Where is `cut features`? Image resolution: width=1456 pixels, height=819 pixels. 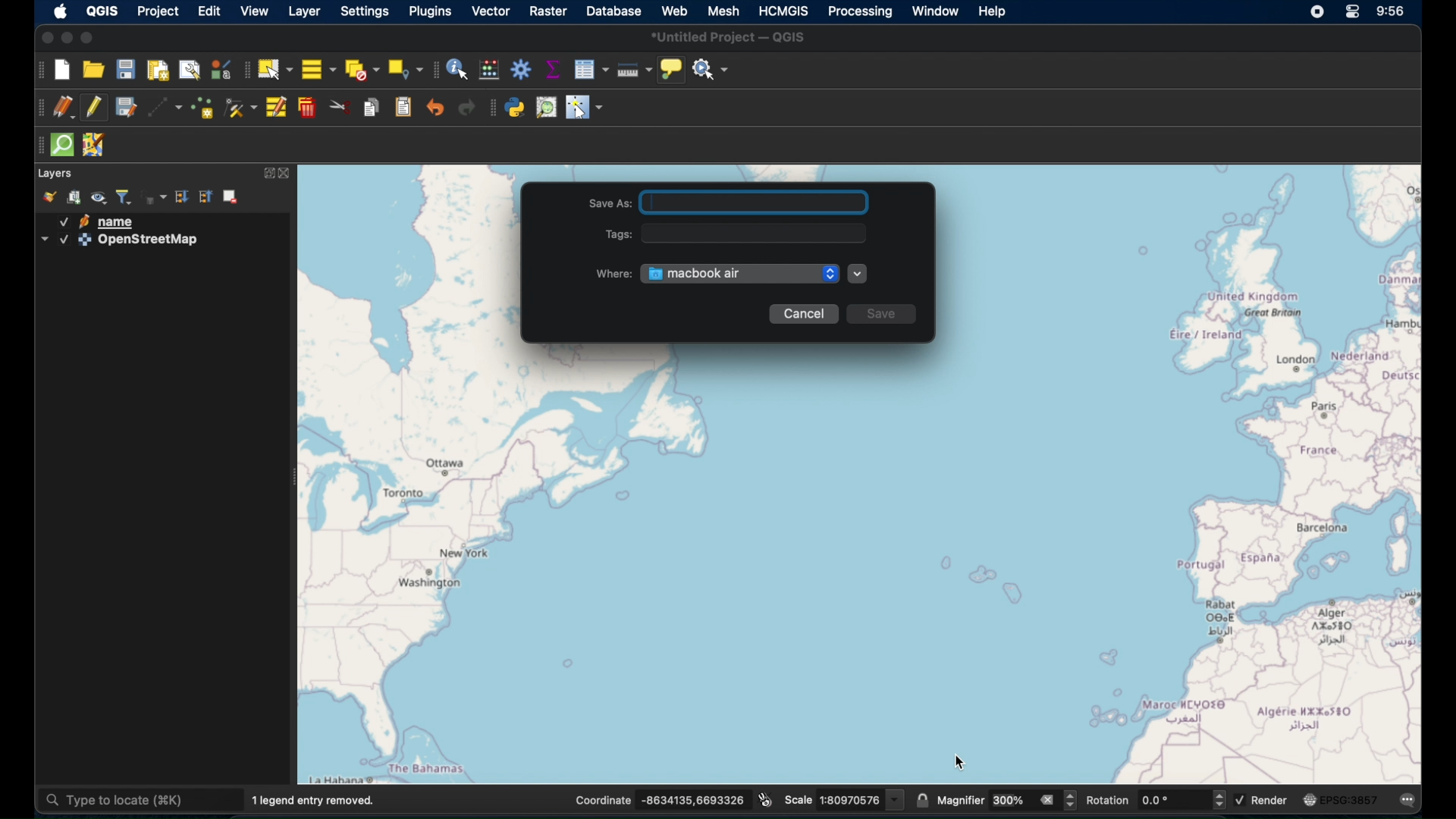 cut features is located at coordinates (340, 107).